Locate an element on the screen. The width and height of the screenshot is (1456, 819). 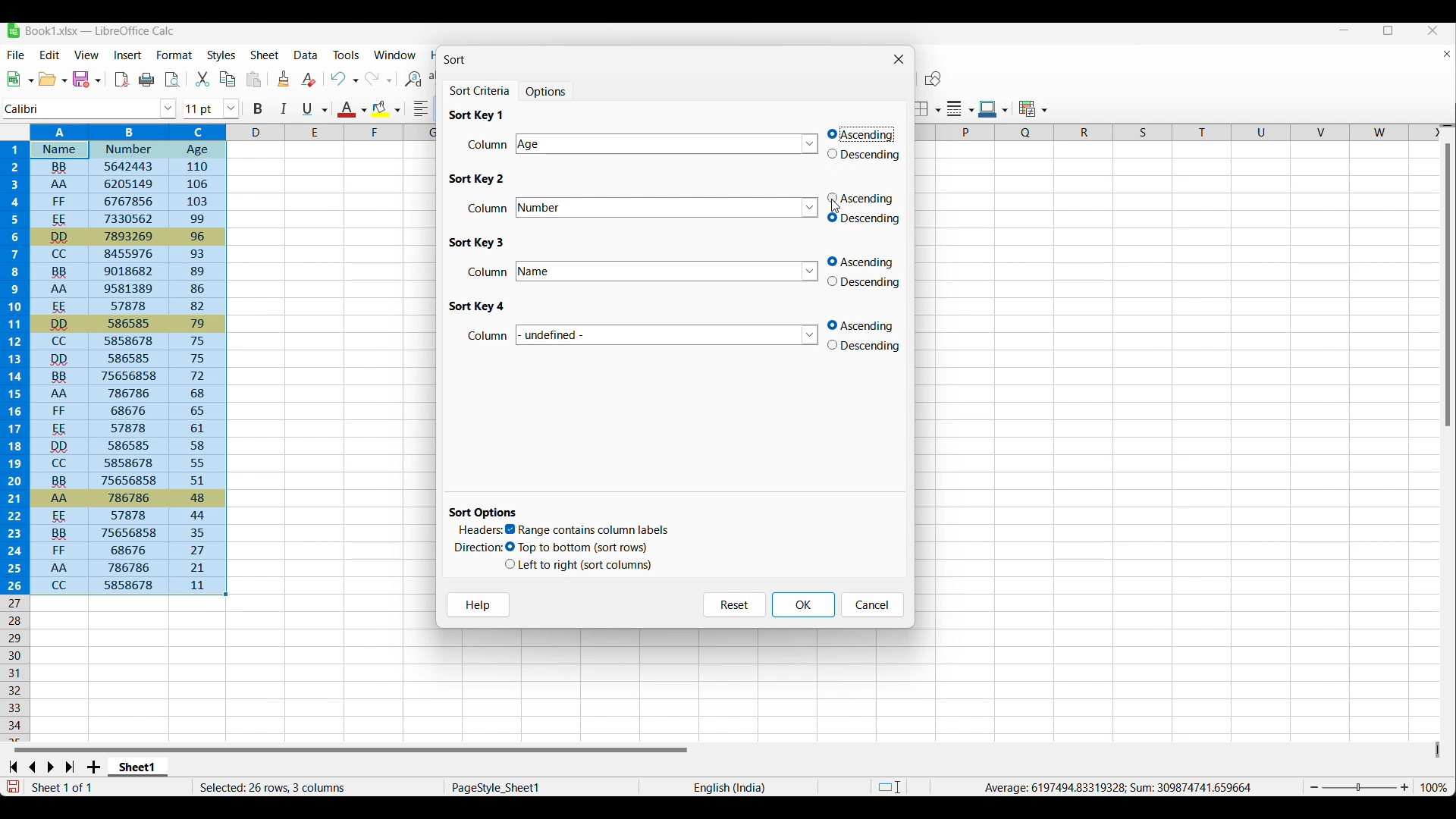
cursor is located at coordinates (838, 209).